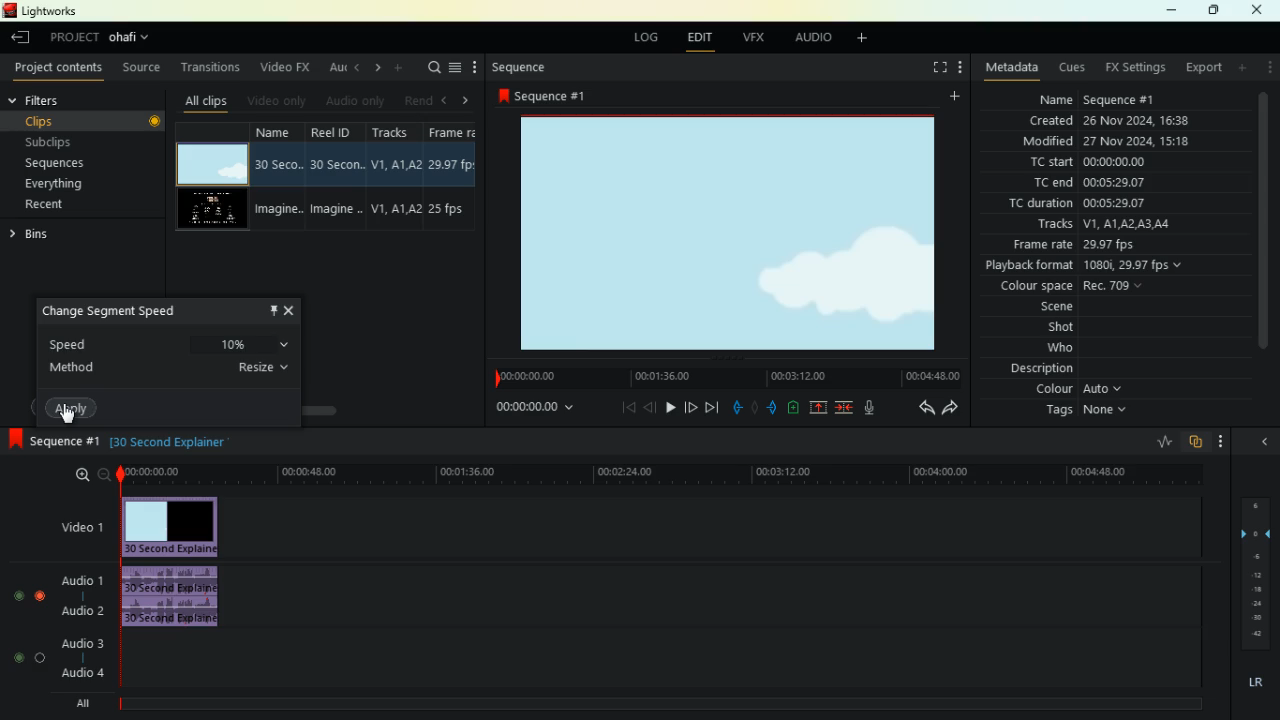  What do you see at coordinates (758, 37) in the screenshot?
I see `vfx` at bounding box center [758, 37].